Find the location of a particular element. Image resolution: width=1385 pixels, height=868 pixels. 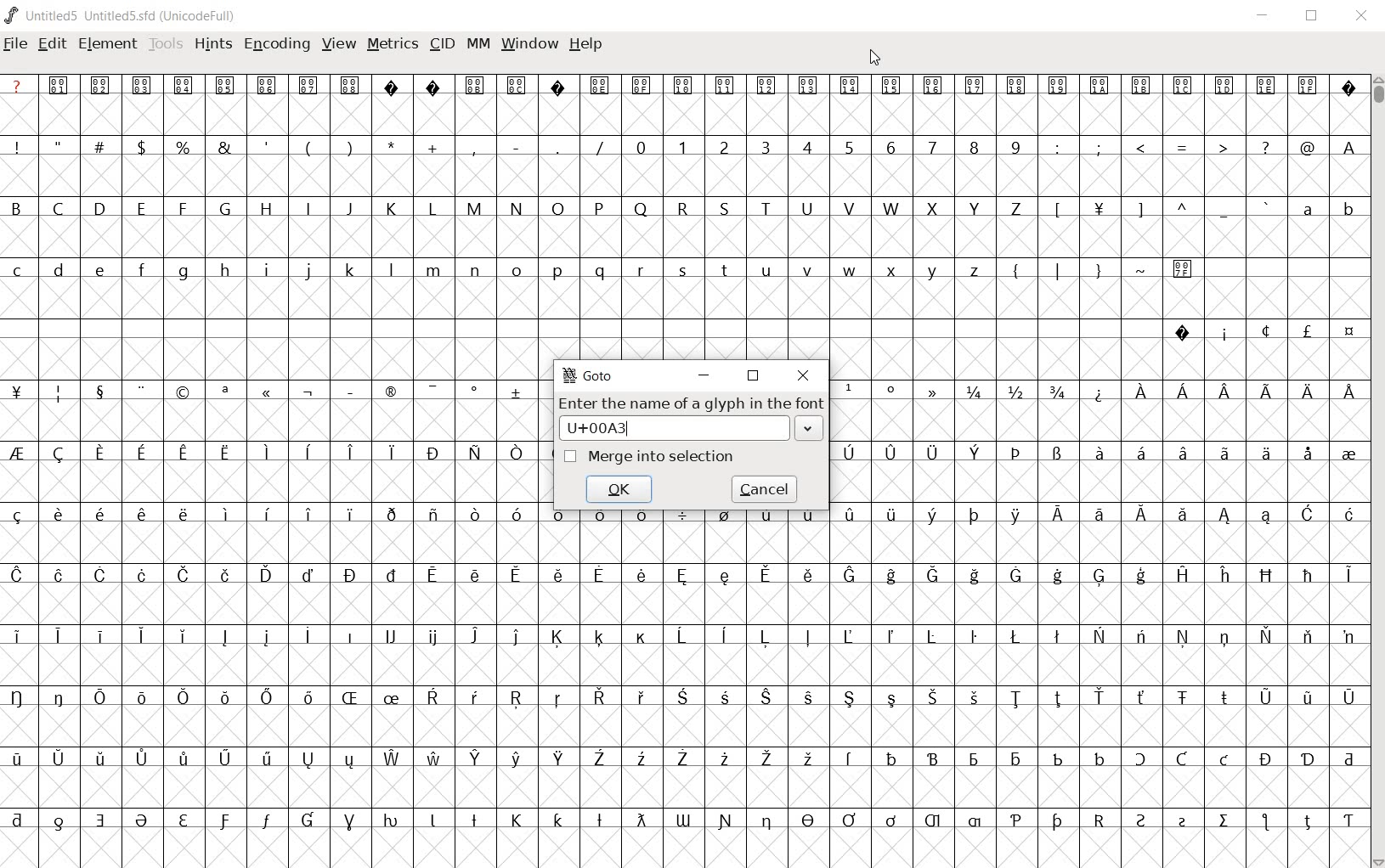

, is located at coordinates (474, 149).